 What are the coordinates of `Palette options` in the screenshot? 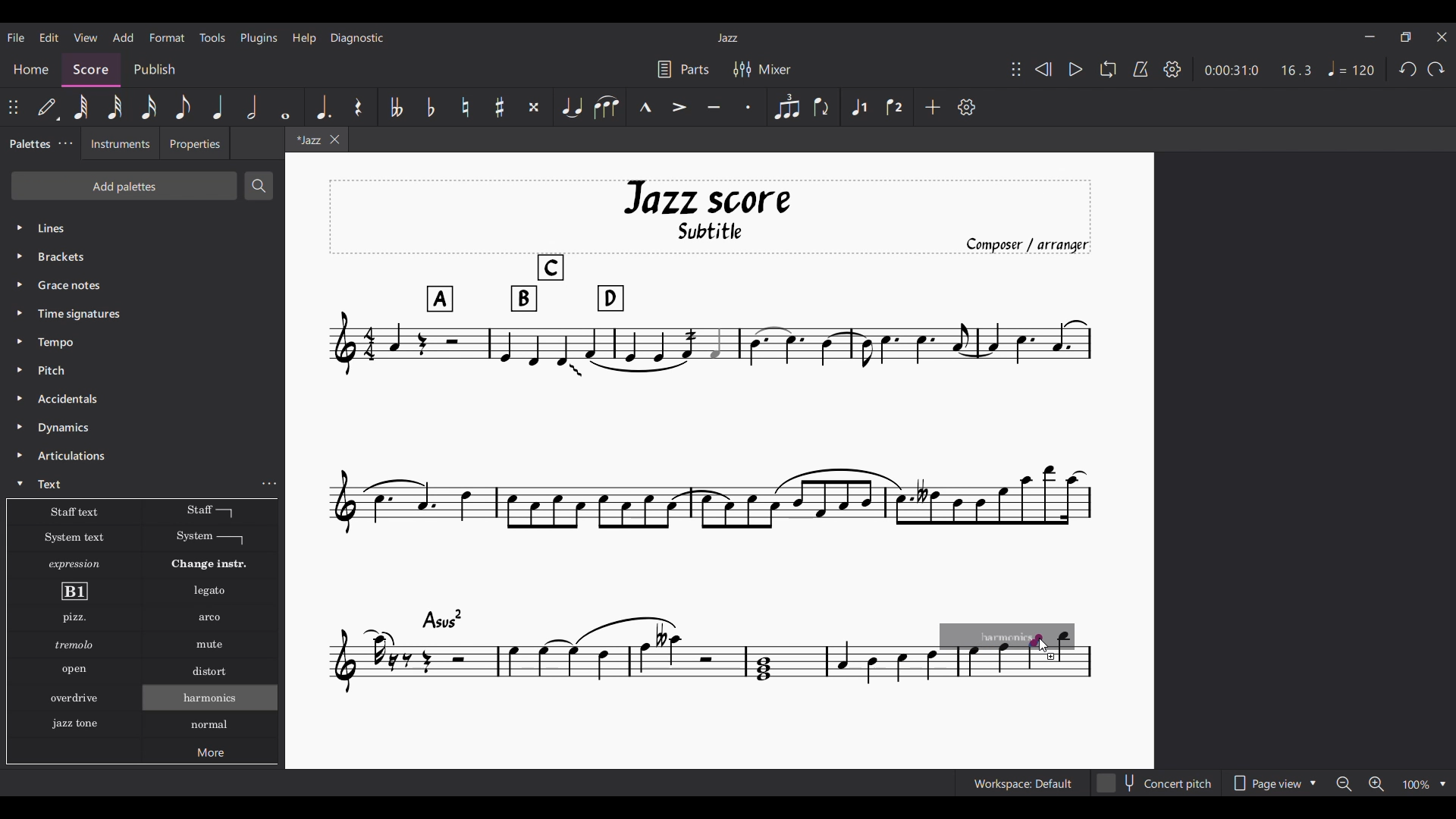 It's located at (91, 228).